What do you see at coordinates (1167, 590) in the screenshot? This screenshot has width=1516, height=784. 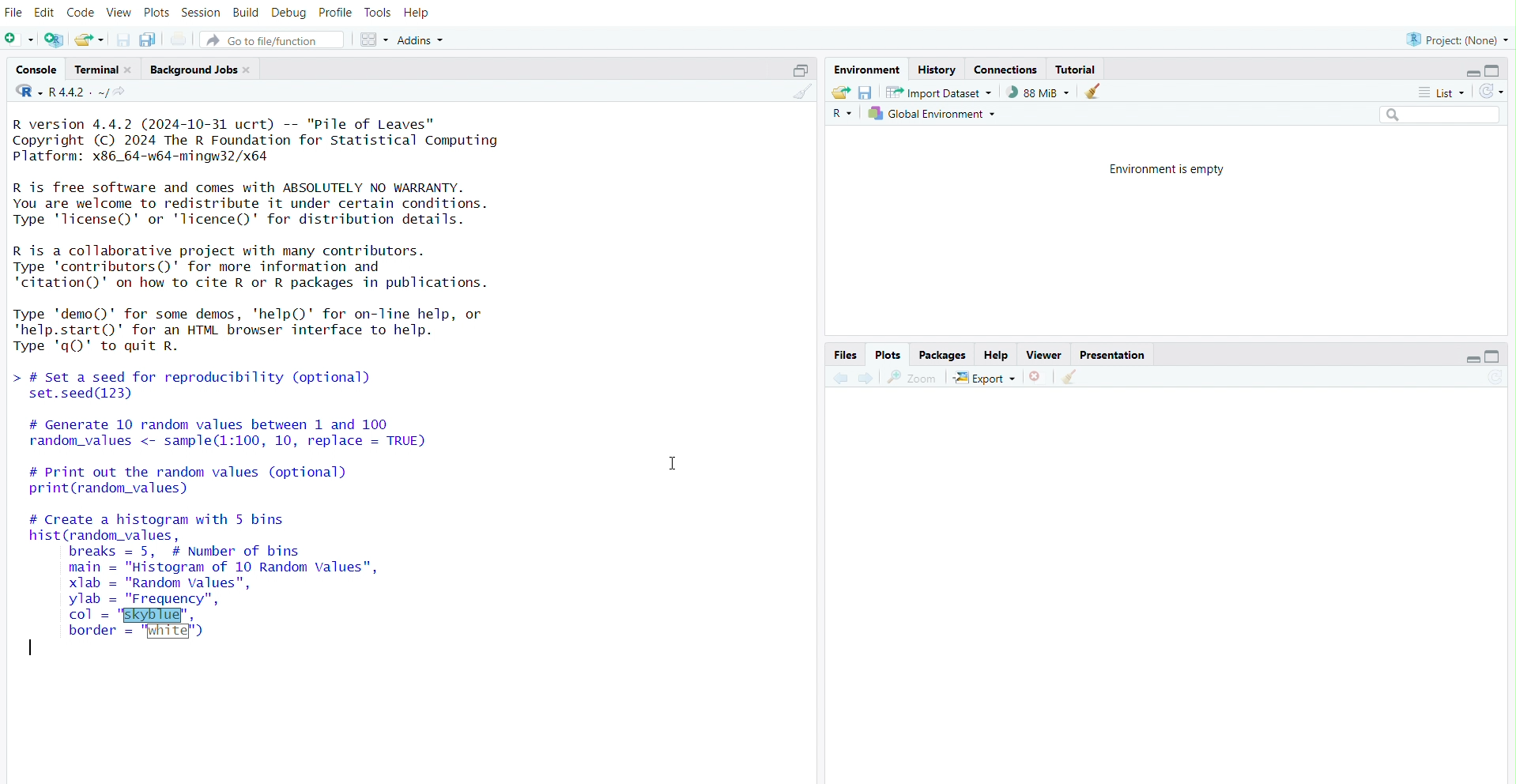 I see `empty plot area` at bounding box center [1167, 590].